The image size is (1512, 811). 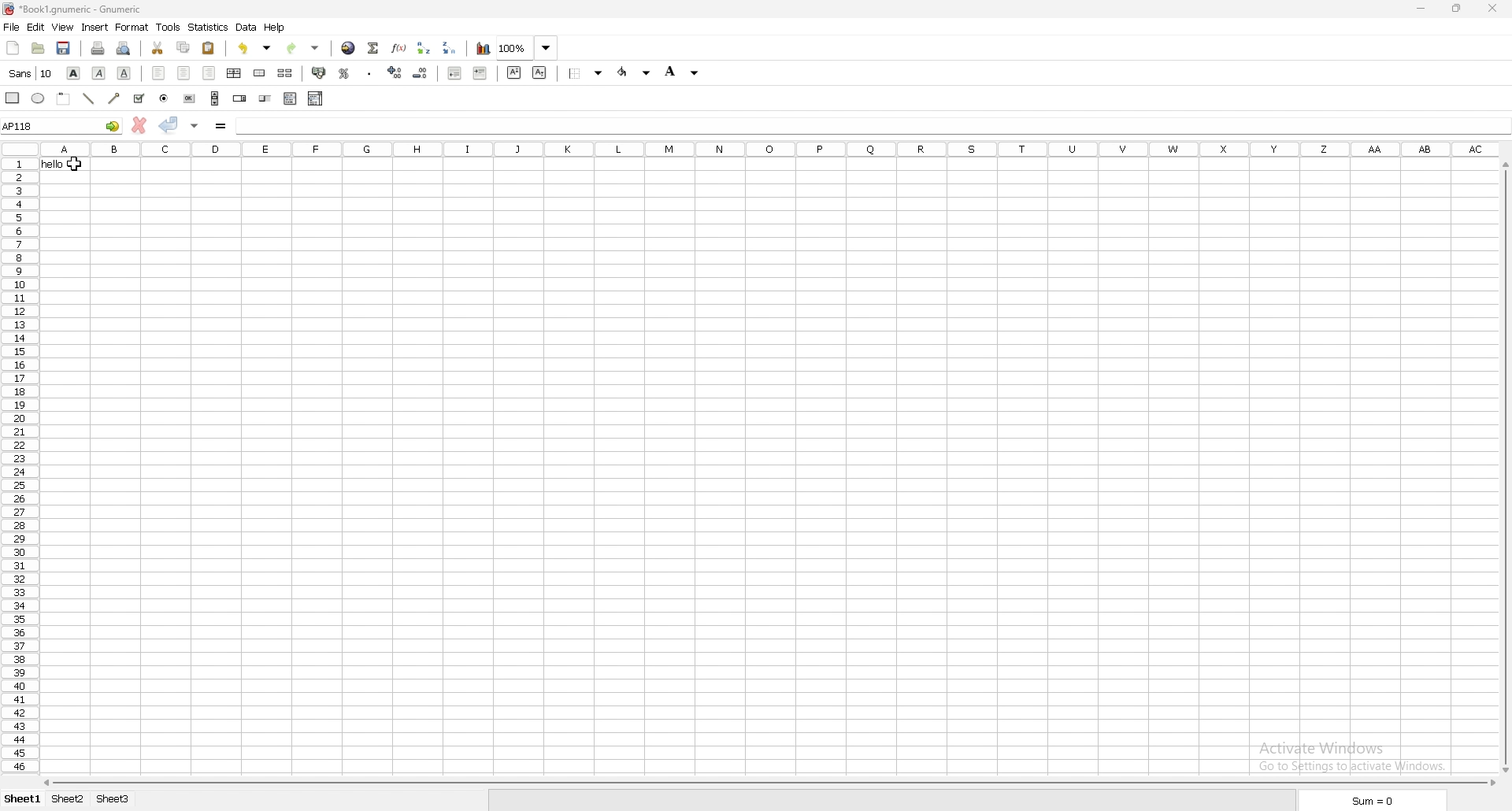 I want to click on close, so click(x=1492, y=9).